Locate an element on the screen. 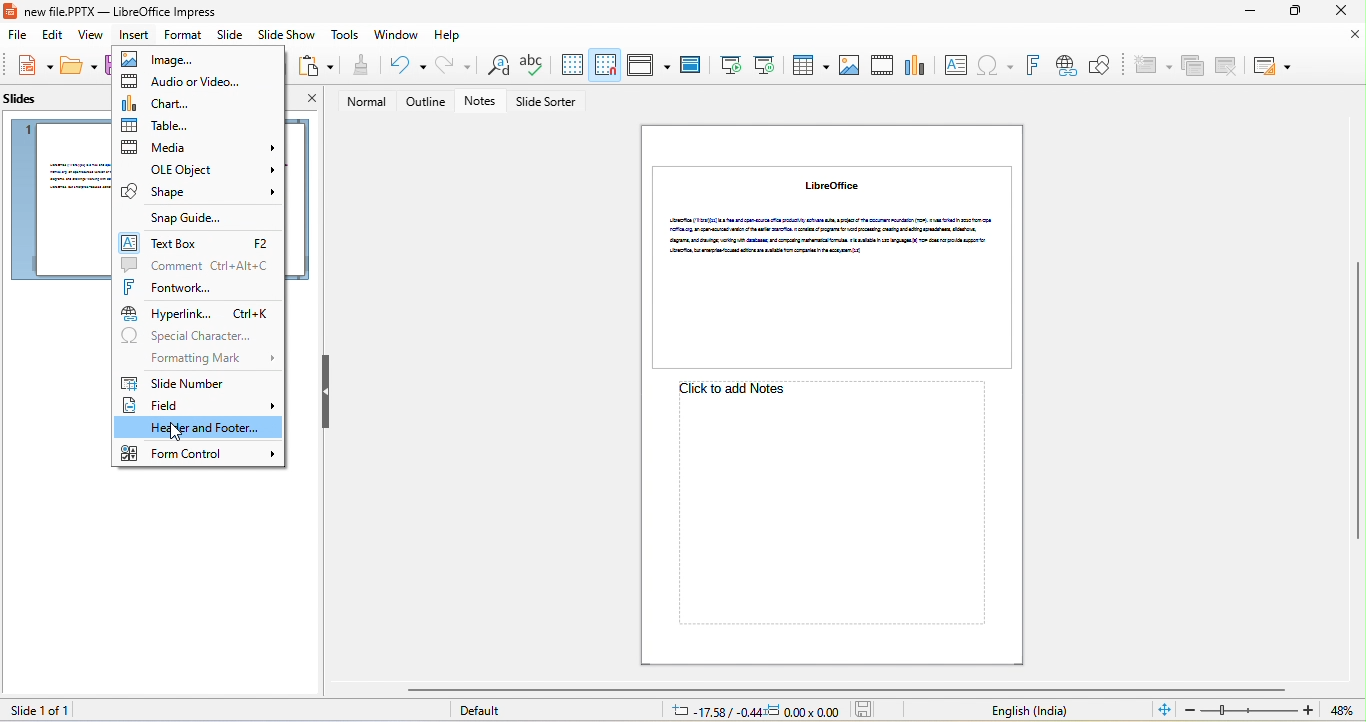  text box is located at coordinates (197, 243).